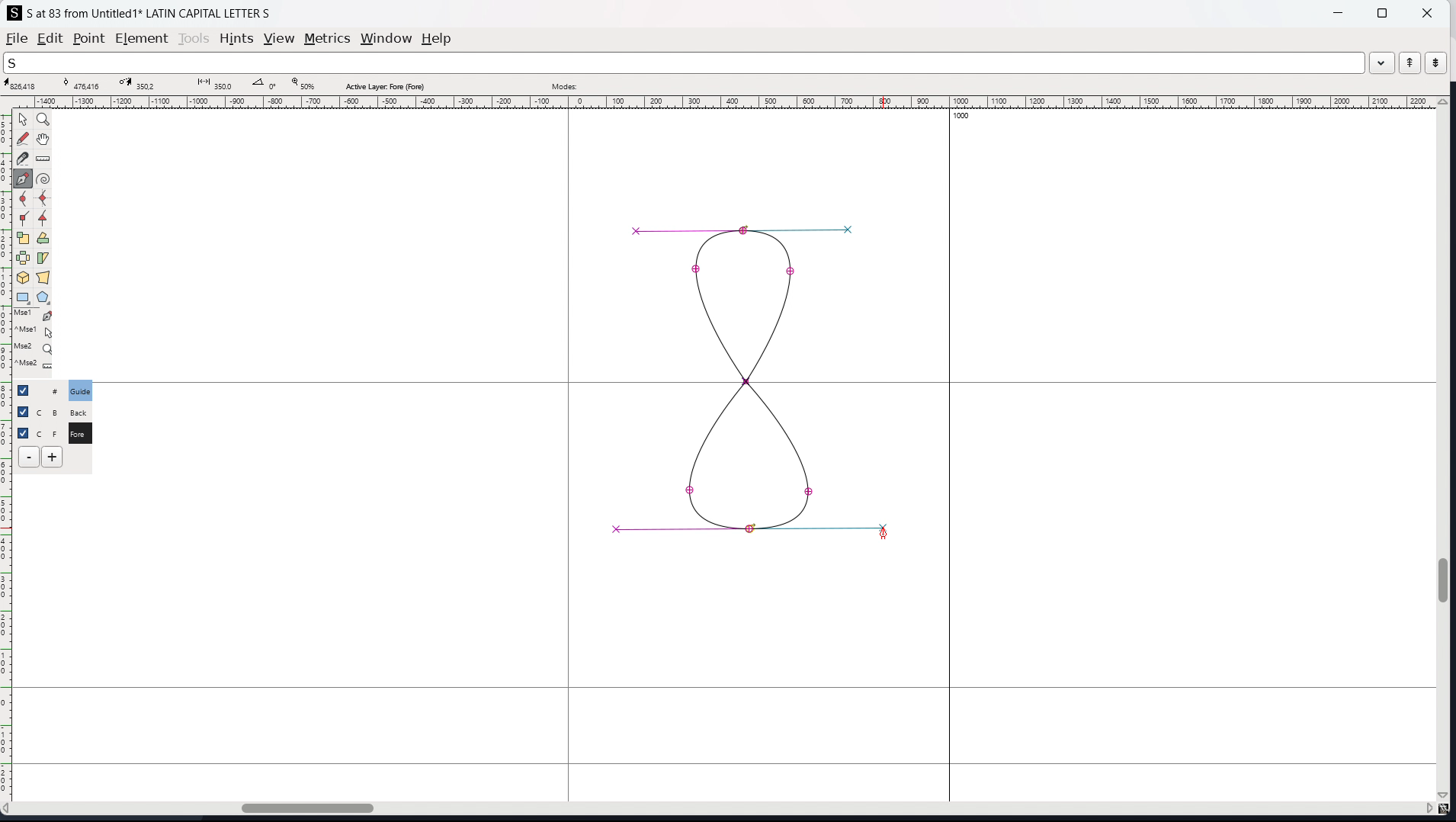 Image resolution: width=1456 pixels, height=822 pixels. Describe the element at coordinates (82, 390) in the screenshot. I see `# Guide` at that location.